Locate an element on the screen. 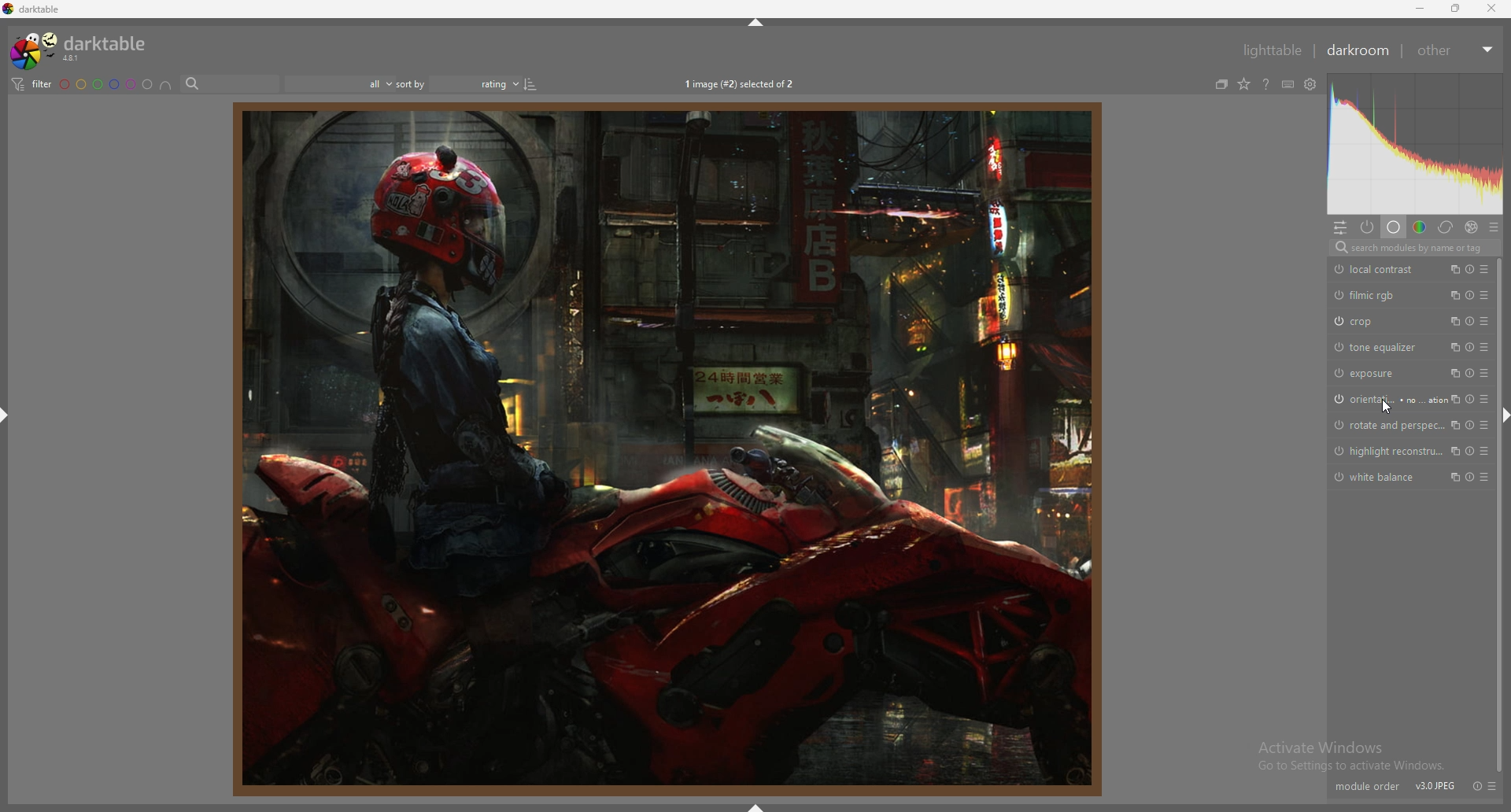  rotate and perspective is located at coordinates (1387, 426).